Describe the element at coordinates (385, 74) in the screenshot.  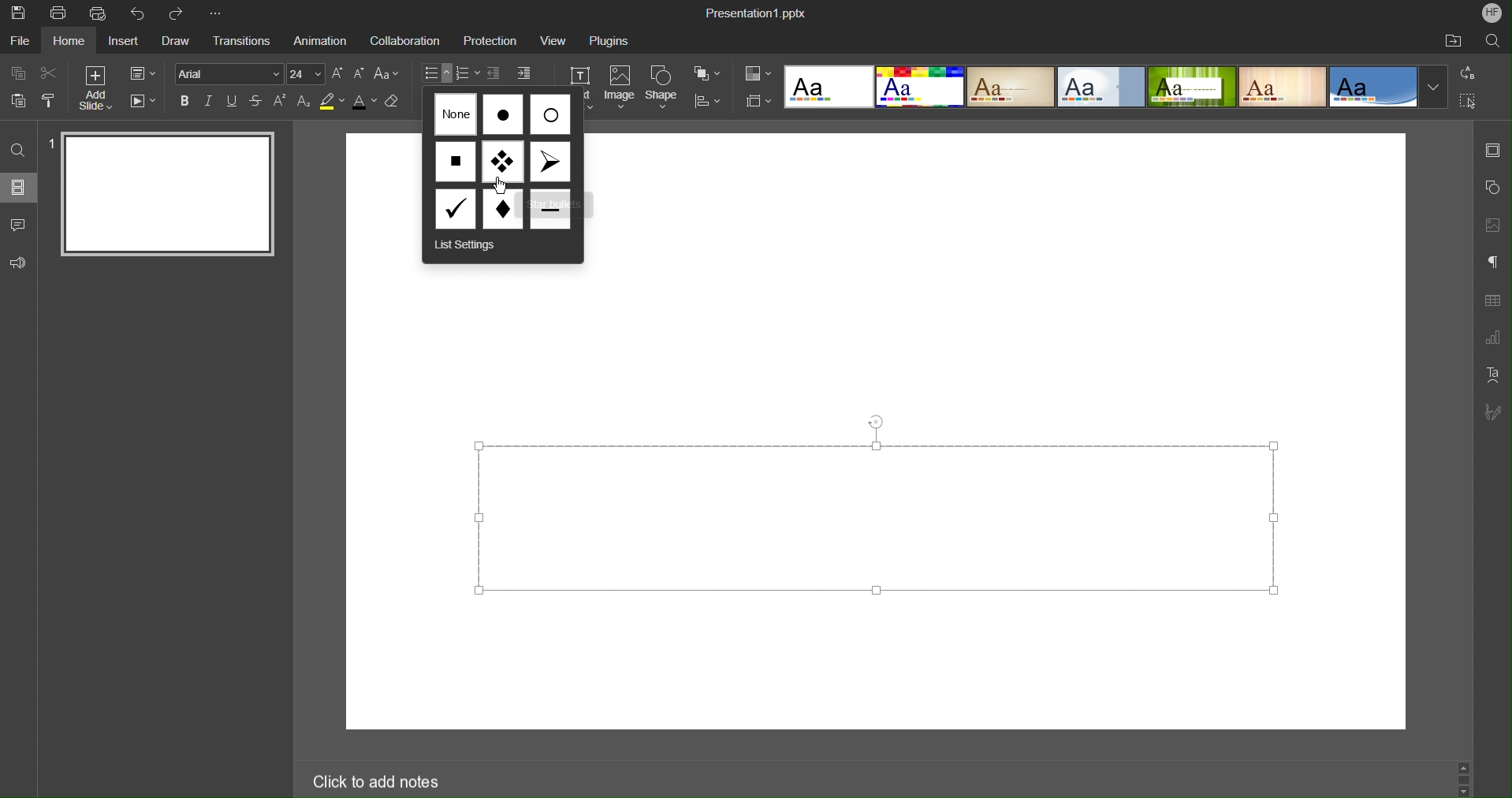
I see `Change Case` at that location.